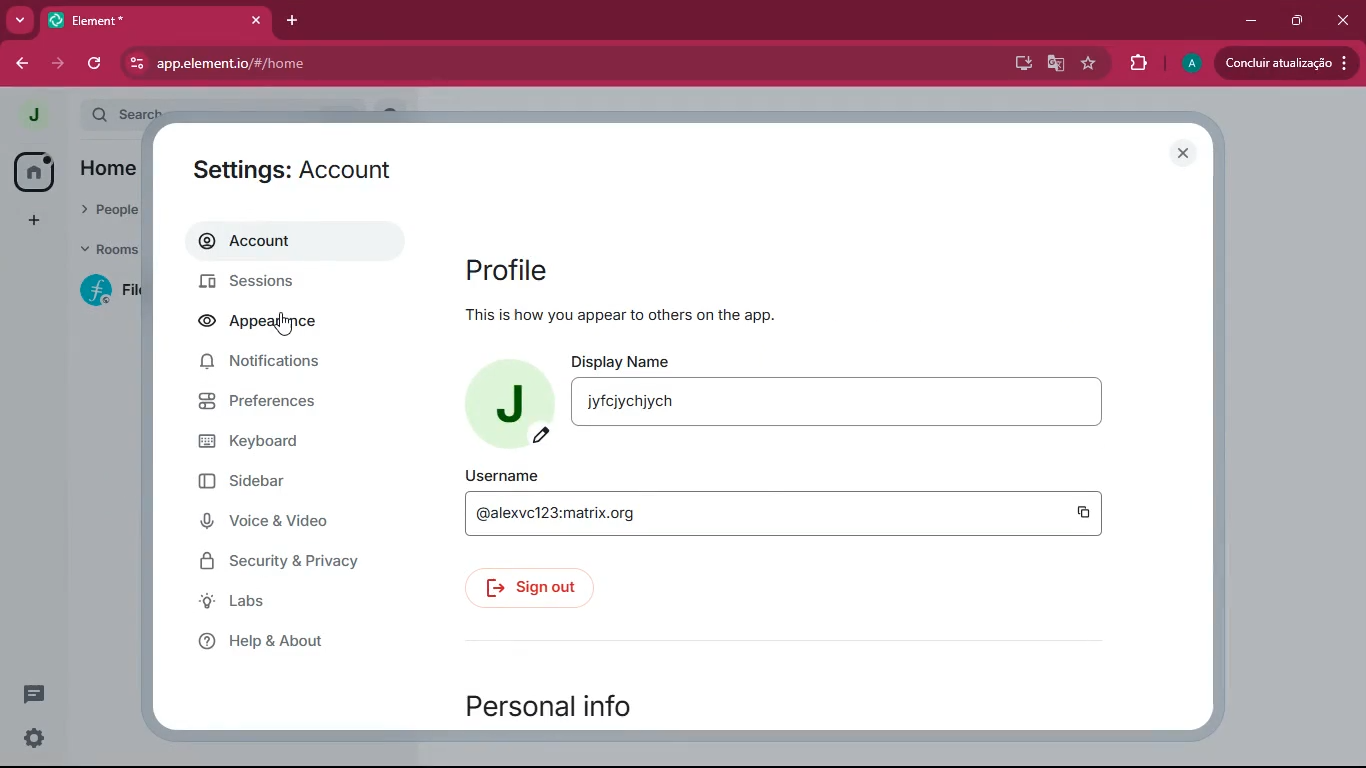 The height and width of the screenshot is (768, 1366). What do you see at coordinates (255, 21) in the screenshot?
I see `close` at bounding box center [255, 21].